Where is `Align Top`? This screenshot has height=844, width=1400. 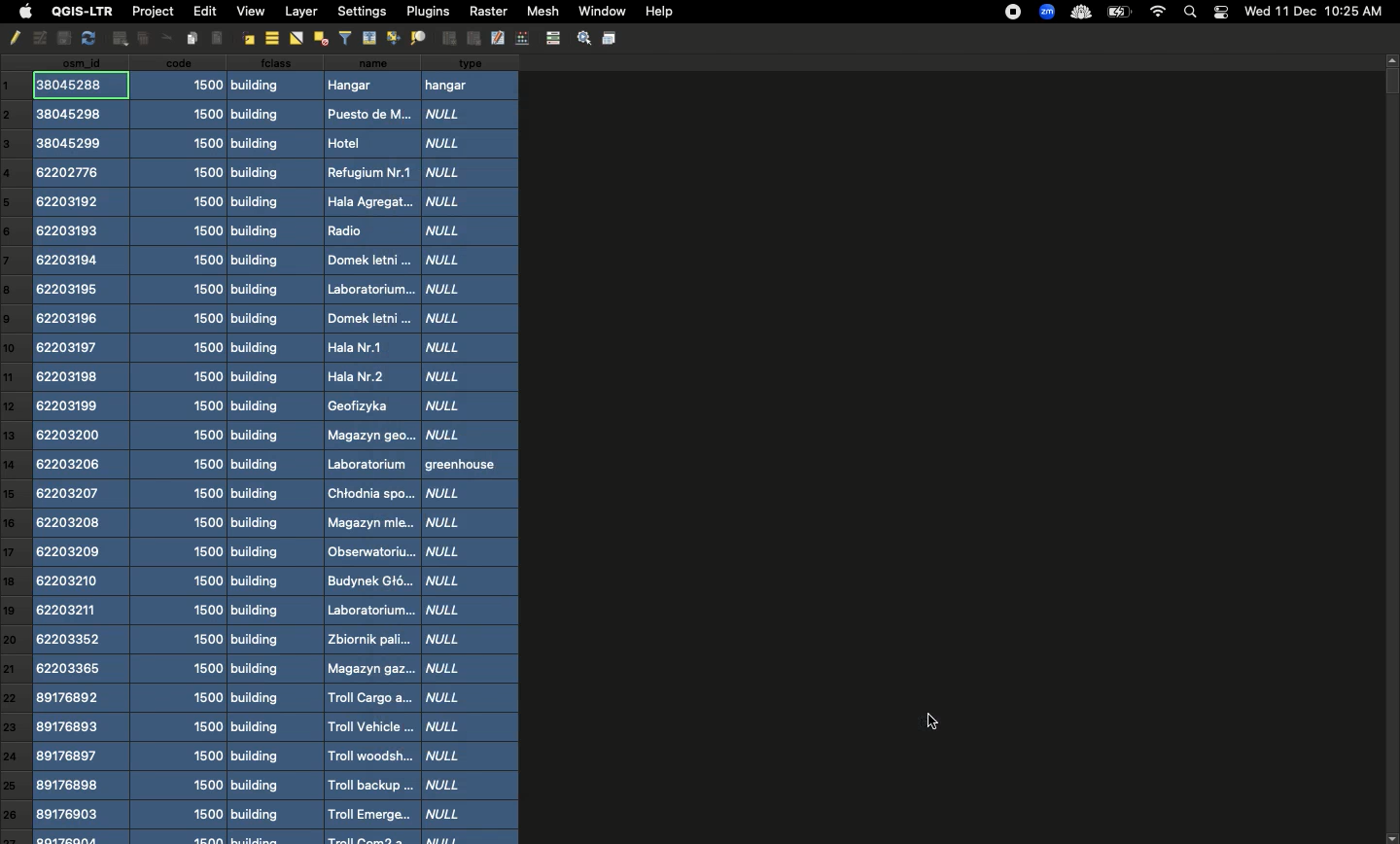
Align Top is located at coordinates (369, 37).